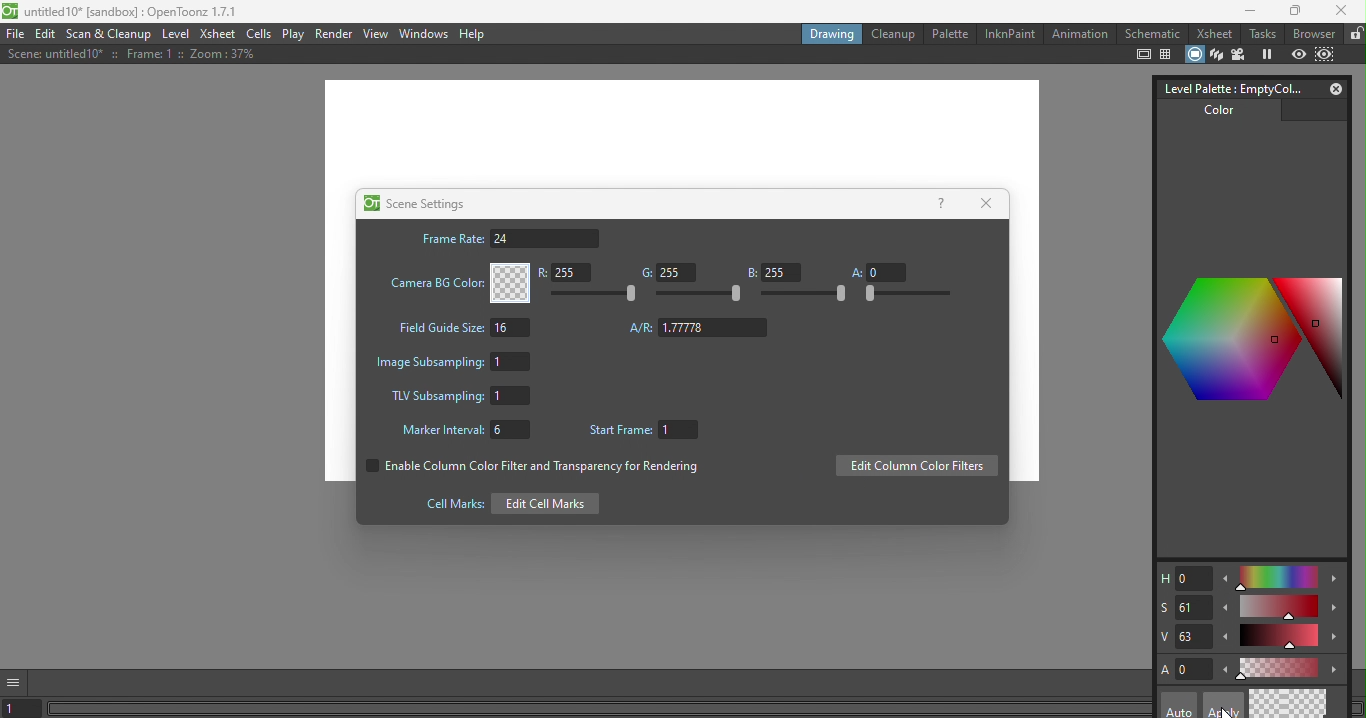 This screenshot has height=718, width=1366. What do you see at coordinates (1179, 705) in the screenshot?
I see `Auto` at bounding box center [1179, 705].